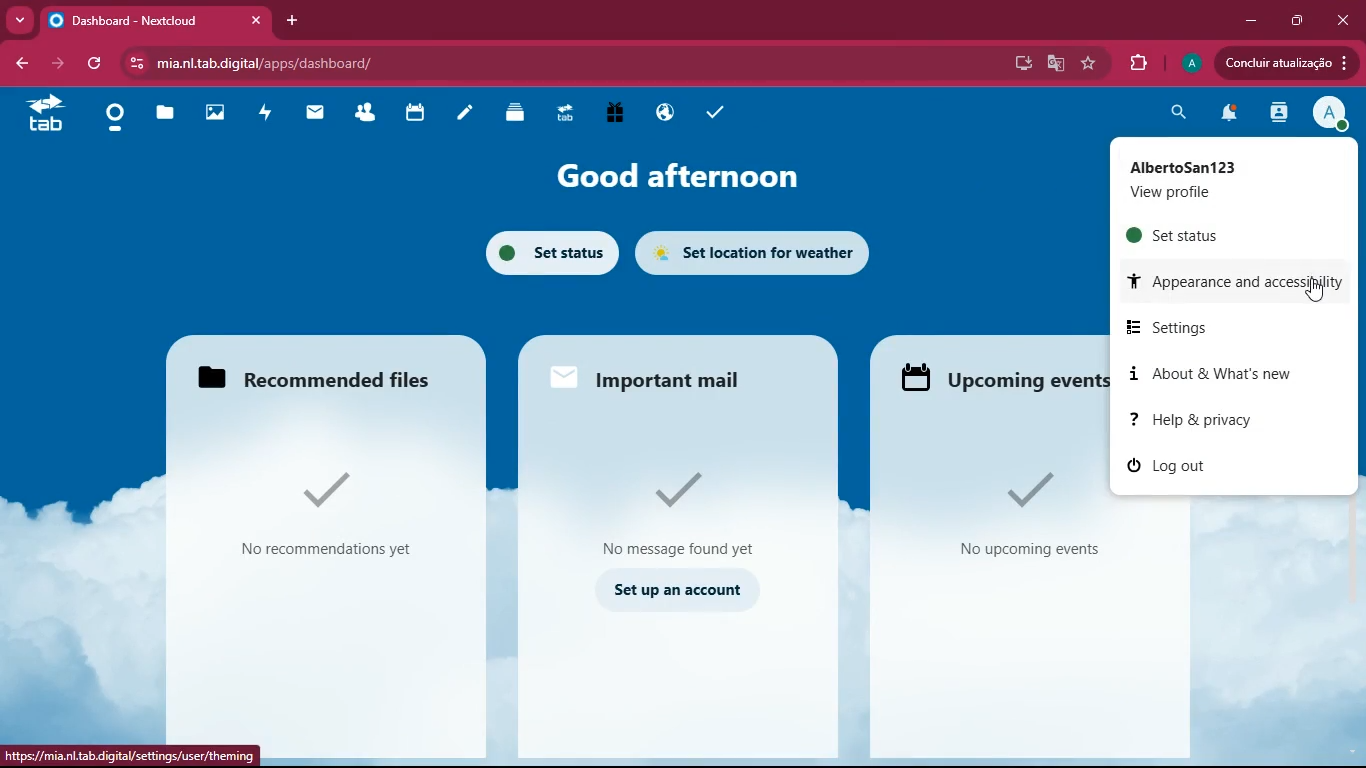 This screenshot has height=768, width=1366. What do you see at coordinates (98, 64) in the screenshot?
I see `refresh` at bounding box center [98, 64].